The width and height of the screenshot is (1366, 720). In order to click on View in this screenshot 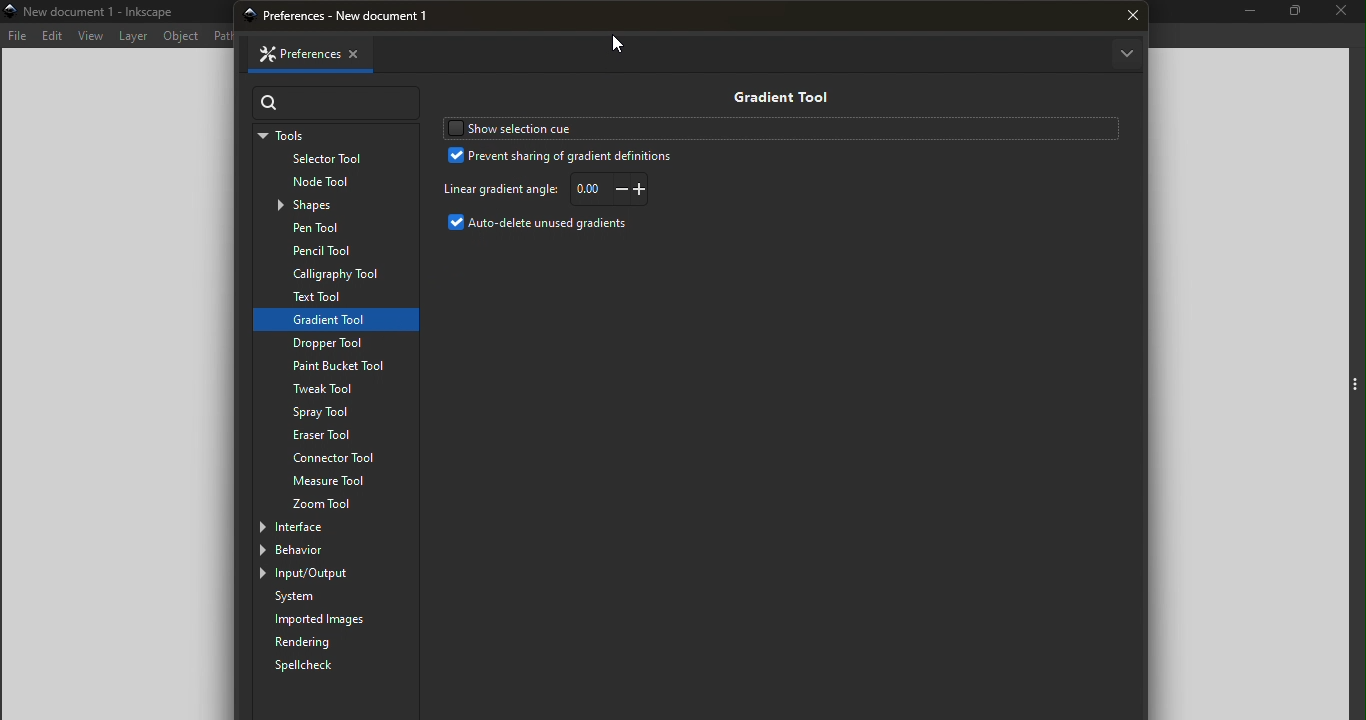, I will do `click(90, 36)`.